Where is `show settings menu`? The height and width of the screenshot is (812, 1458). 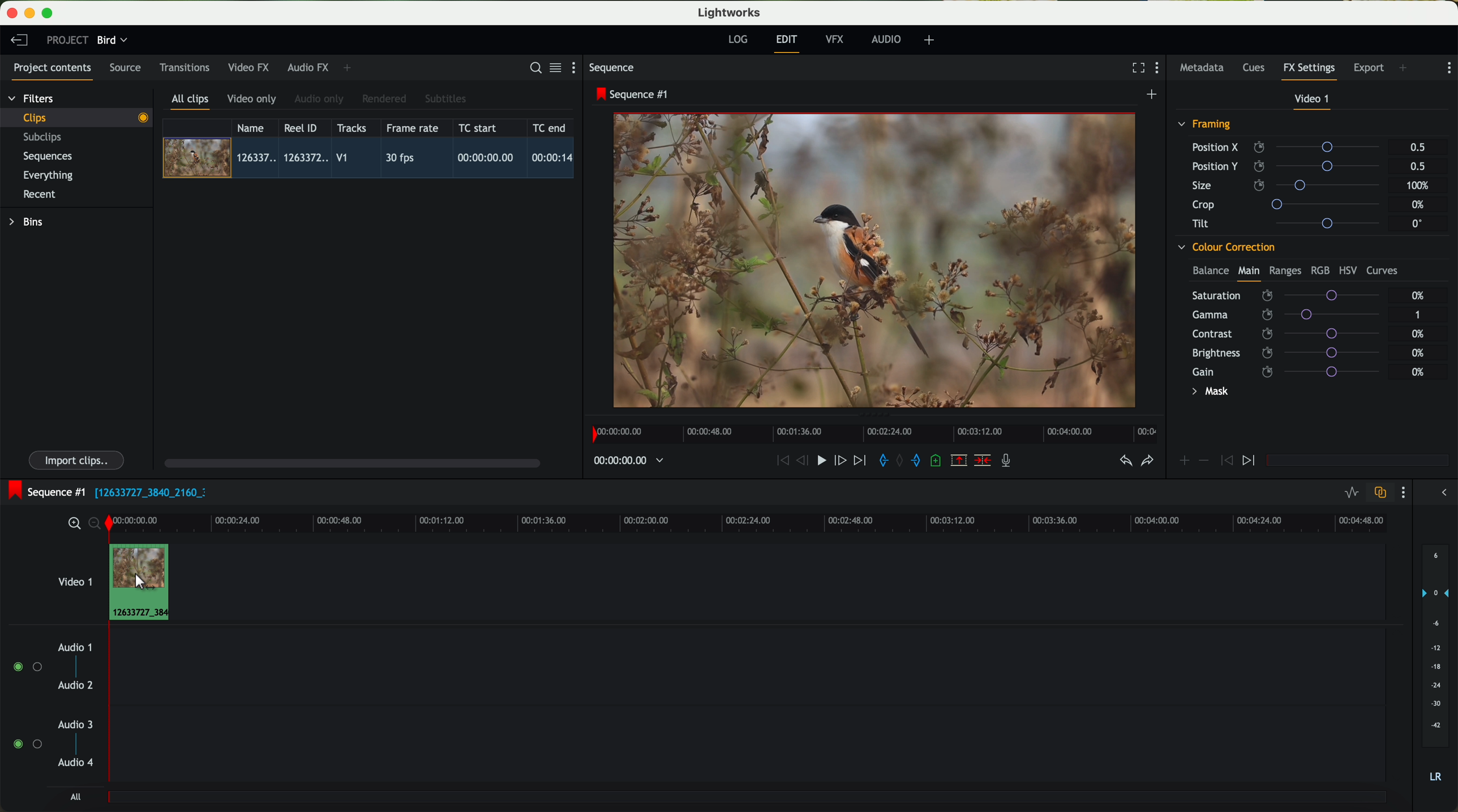
show settings menu is located at coordinates (578, 67).